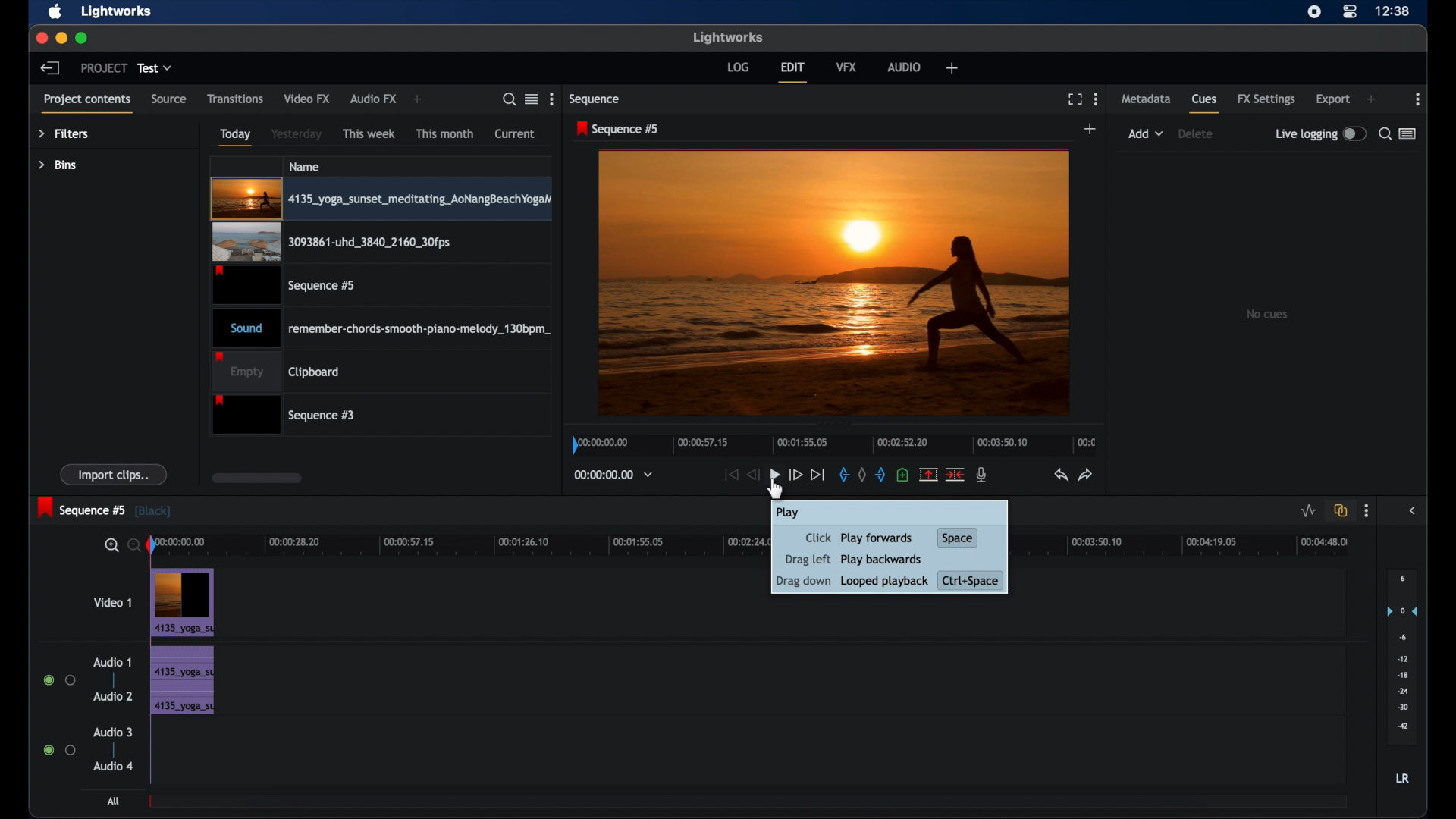 This screenshot has height=819, width=1456. Describe the element at coordinates (256, 477) in the screenshot. I see `scroll box` at that location.